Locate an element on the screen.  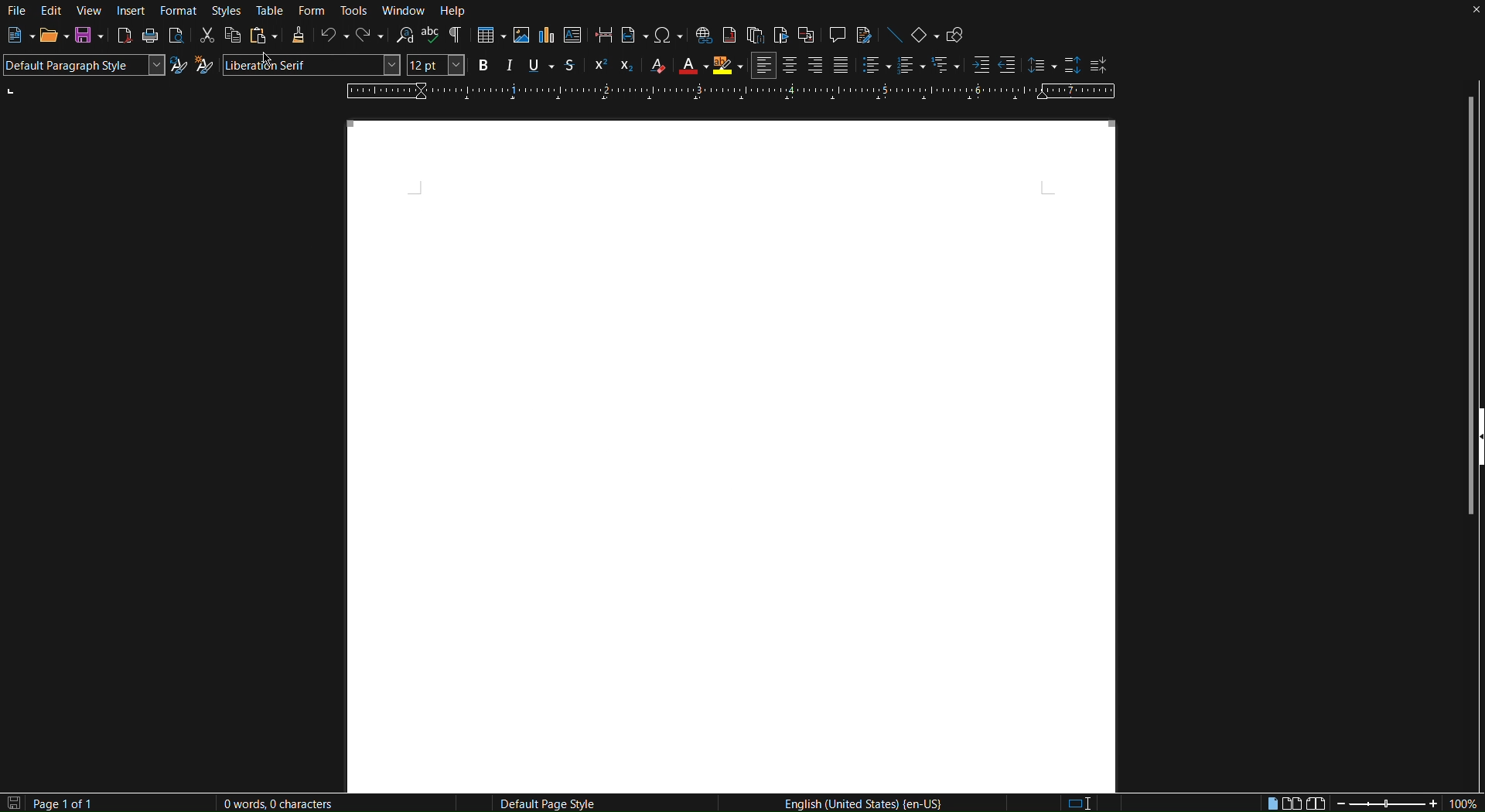
Open is located at coordinates (48, 38).